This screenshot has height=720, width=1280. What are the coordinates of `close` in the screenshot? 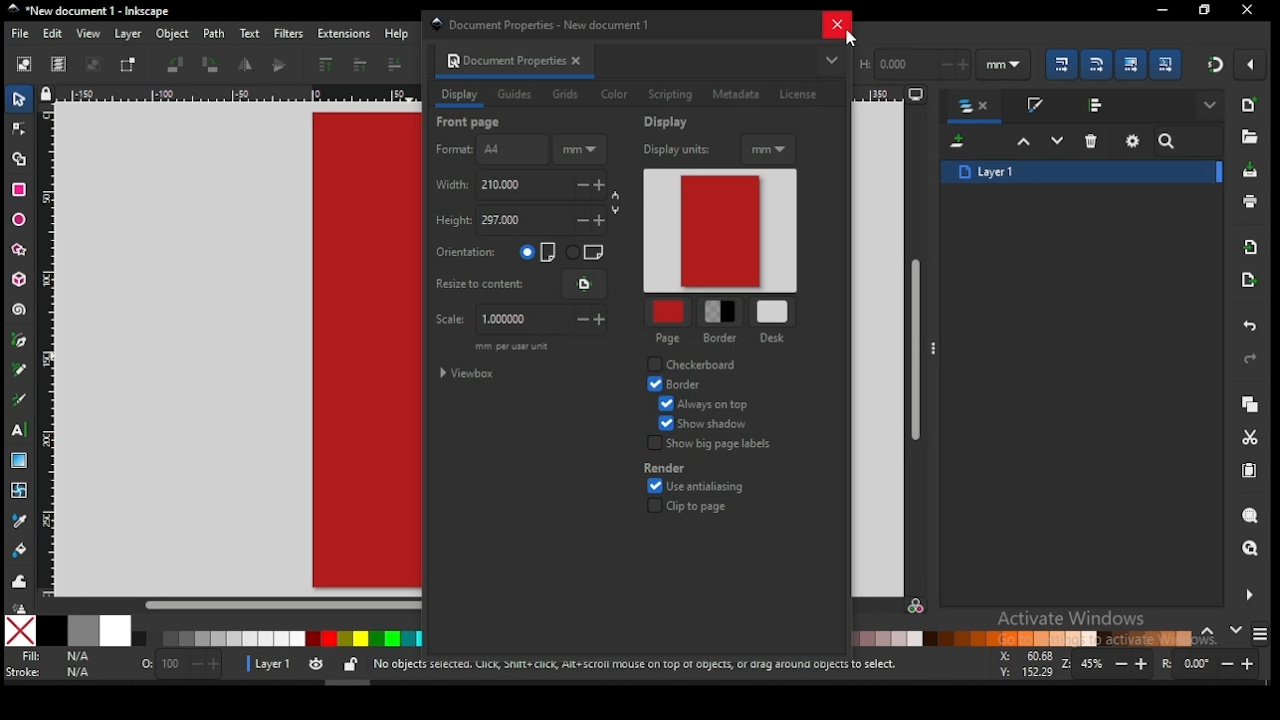 It's located at (580, 61).